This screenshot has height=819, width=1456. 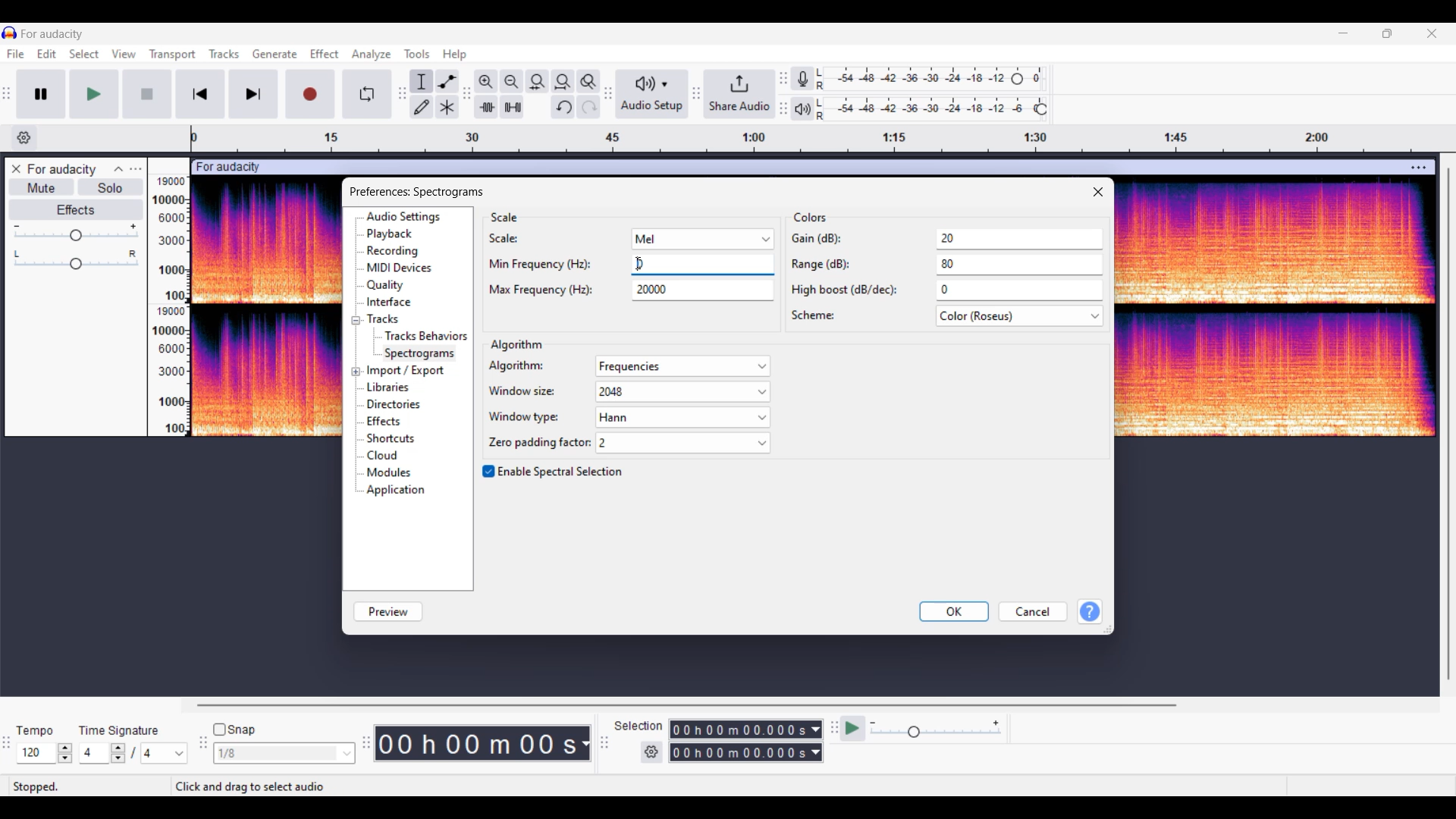 I want to click on Snap toggle, so click(x=234, y=730).